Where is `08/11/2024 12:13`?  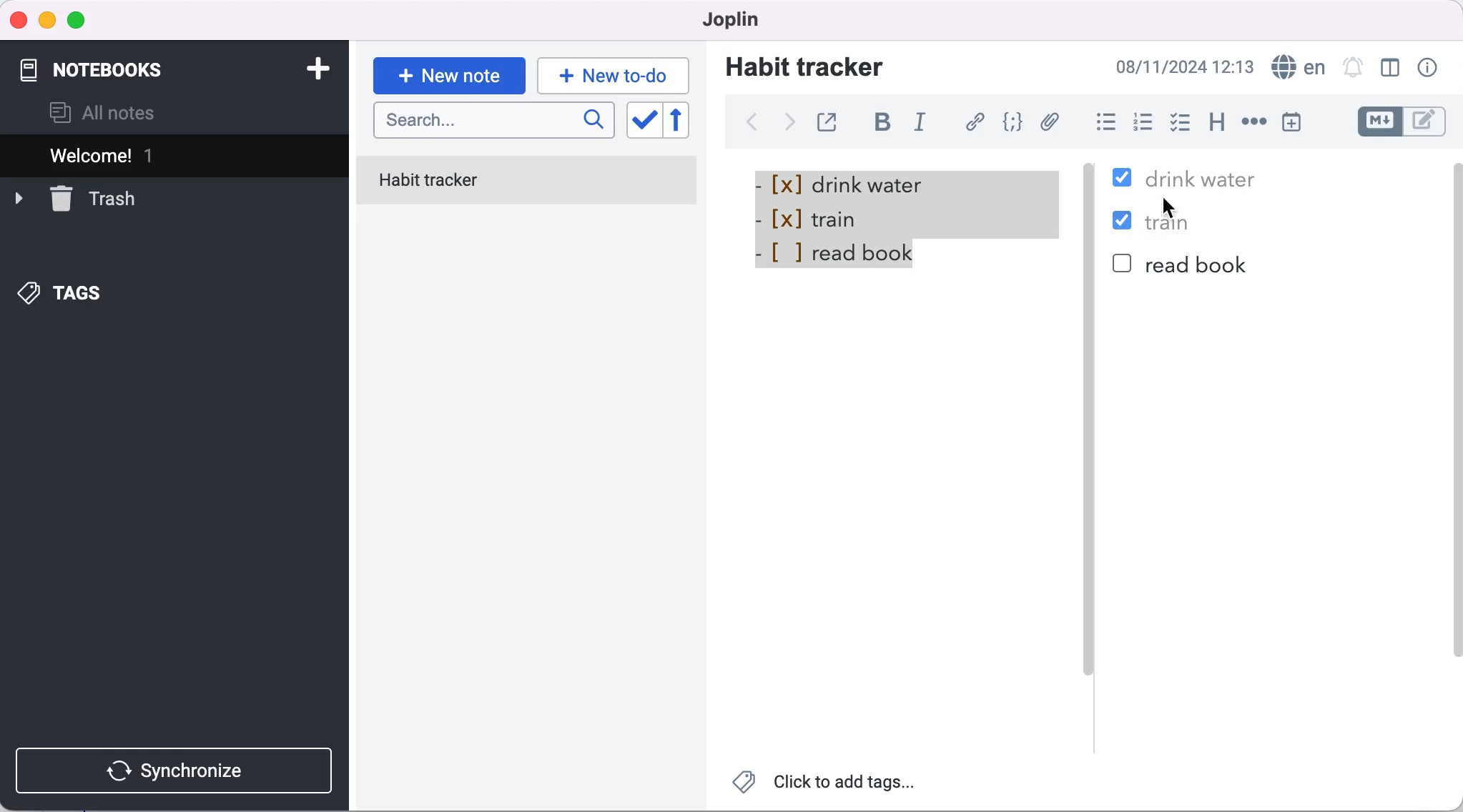 08/11/2024 12:13 is located at coordinates (1181, 66).